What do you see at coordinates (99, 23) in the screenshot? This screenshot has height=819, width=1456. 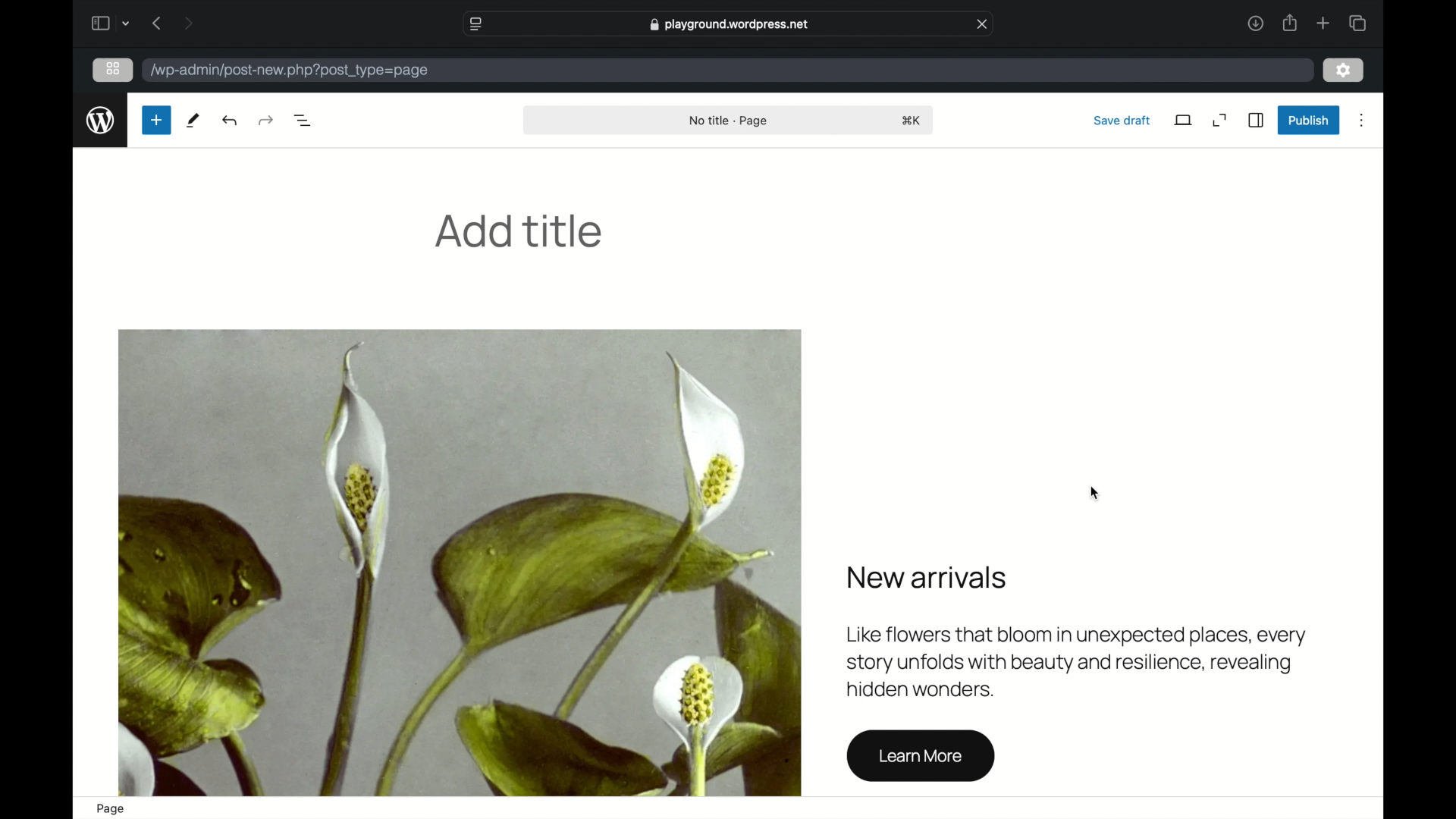 I see `sidebar` at bounding box center [99, 23].